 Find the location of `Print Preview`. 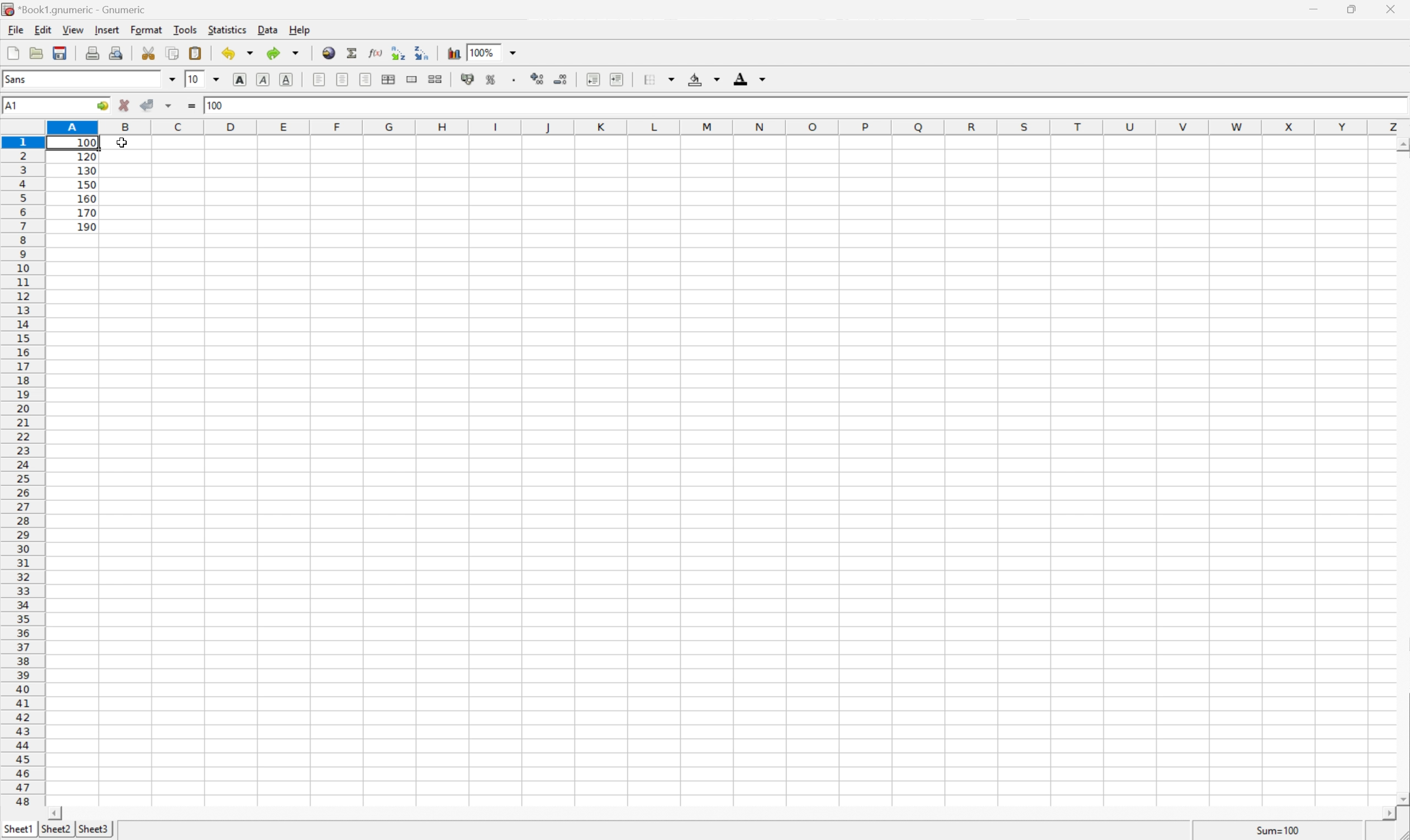

Print Preview is located at coordinates (118, 52).